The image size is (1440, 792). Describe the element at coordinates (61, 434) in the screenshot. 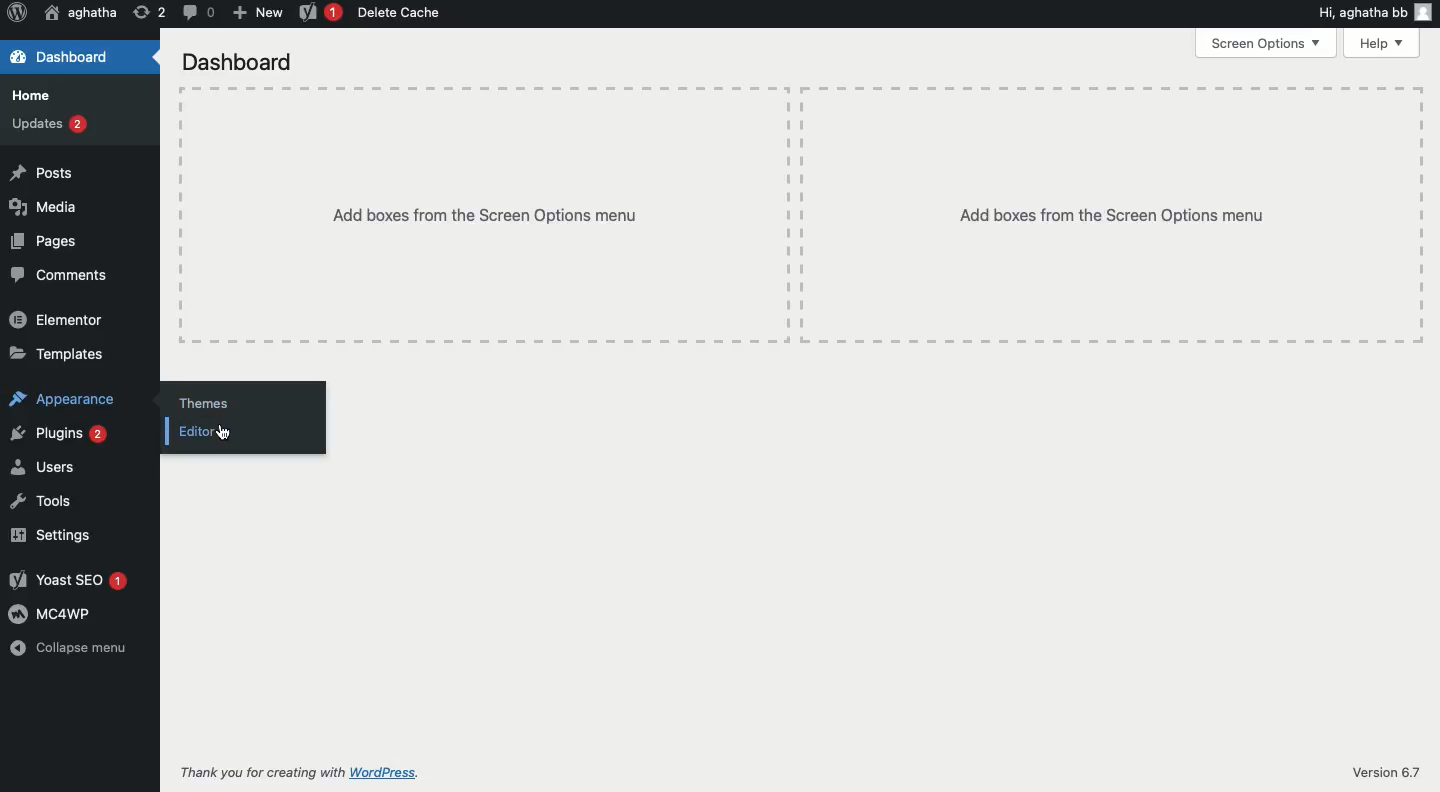

I see `Plugins` at that location.